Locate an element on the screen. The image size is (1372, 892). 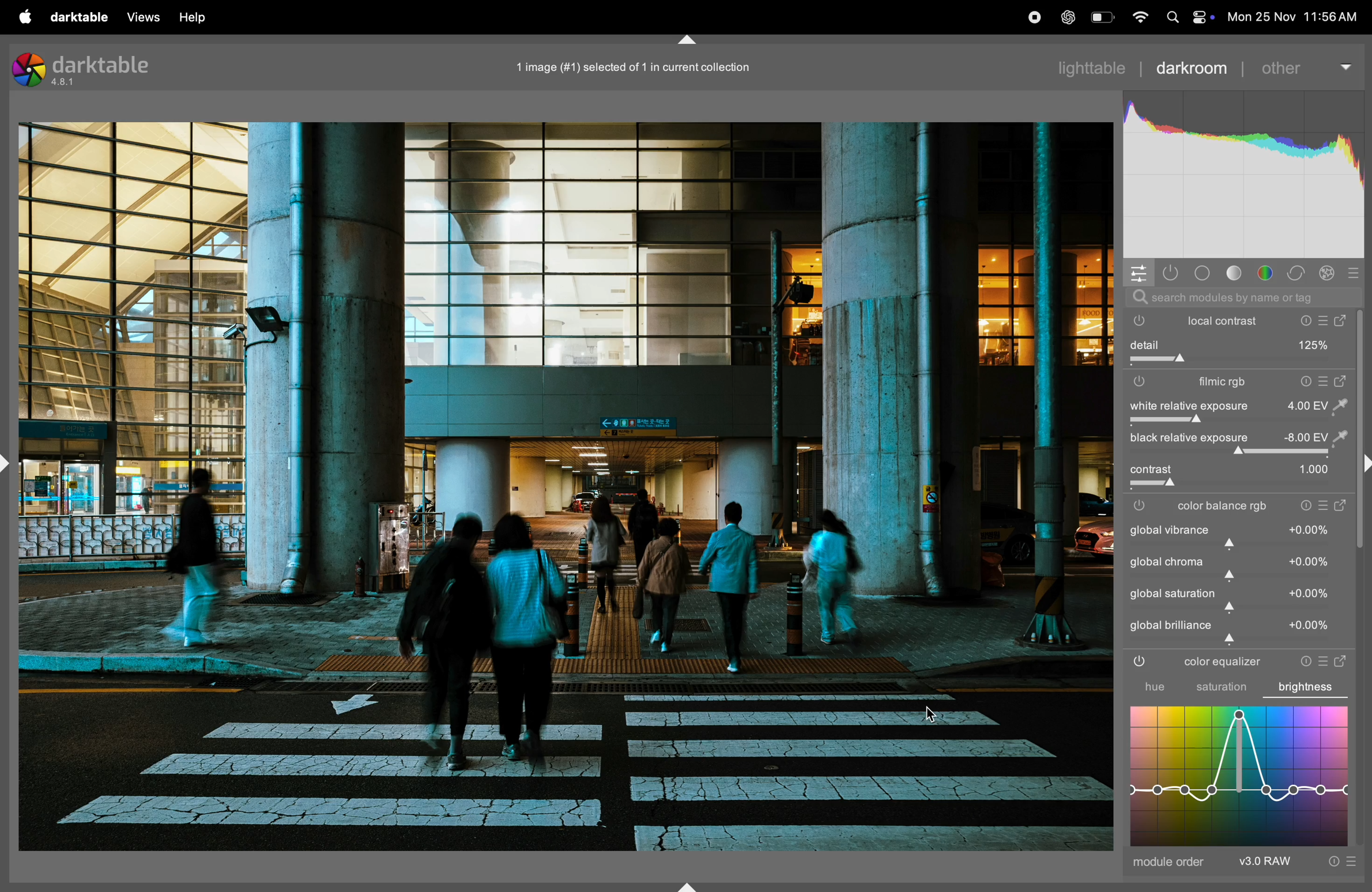
presets is located at coordinates (1325, 659).